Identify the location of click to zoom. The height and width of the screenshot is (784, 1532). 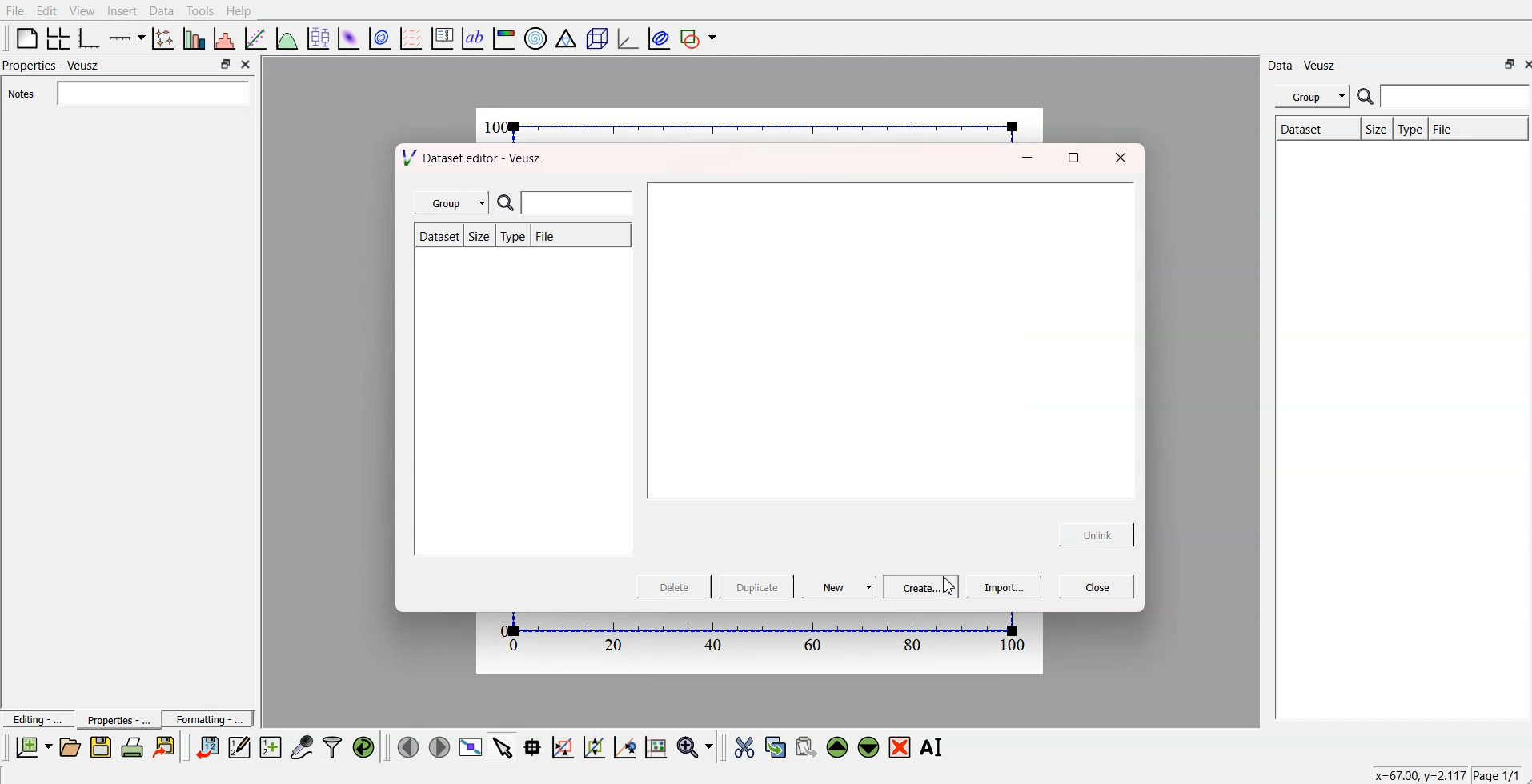
(596, 746).